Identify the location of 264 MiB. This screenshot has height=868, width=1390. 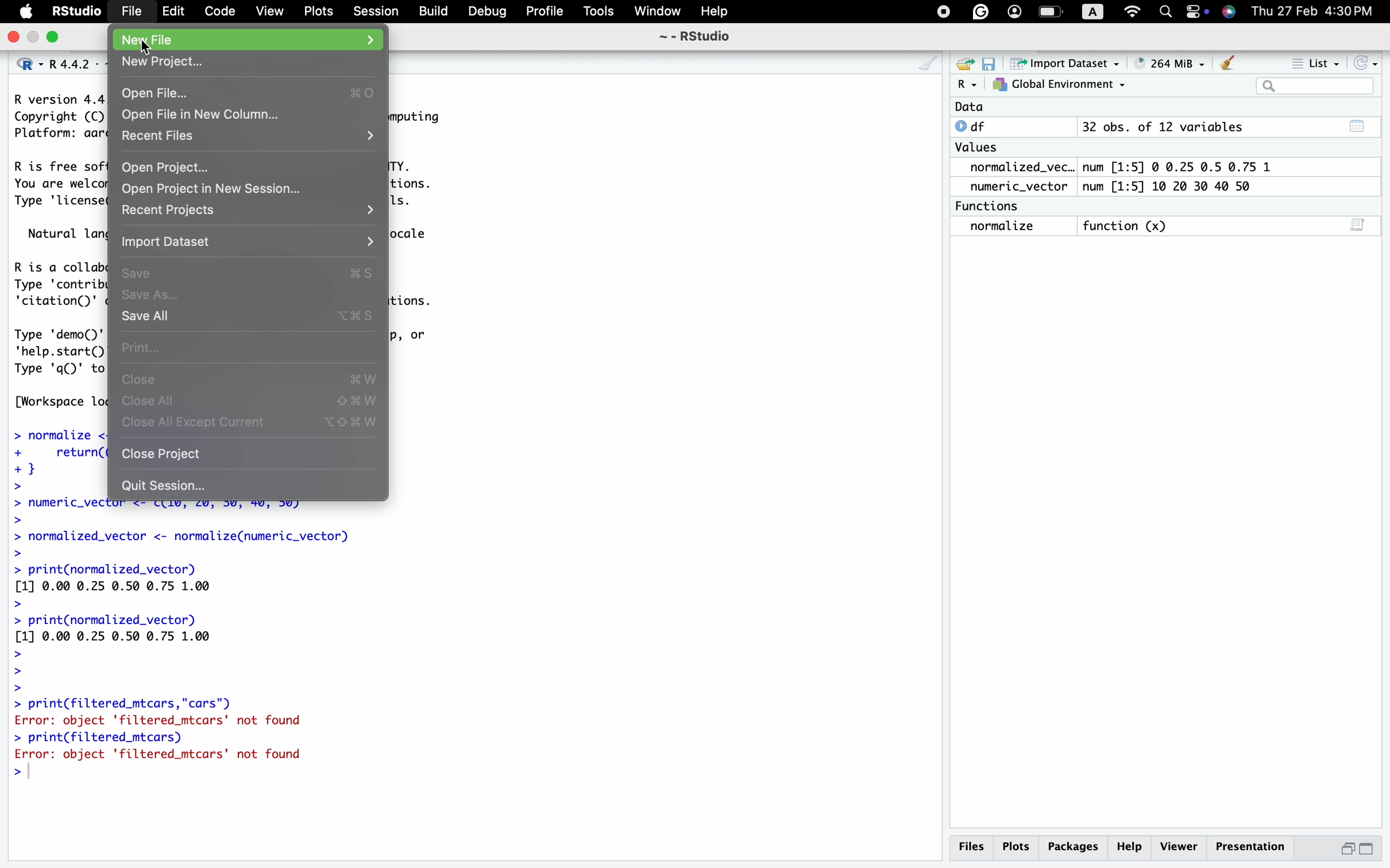
(1173, 63).